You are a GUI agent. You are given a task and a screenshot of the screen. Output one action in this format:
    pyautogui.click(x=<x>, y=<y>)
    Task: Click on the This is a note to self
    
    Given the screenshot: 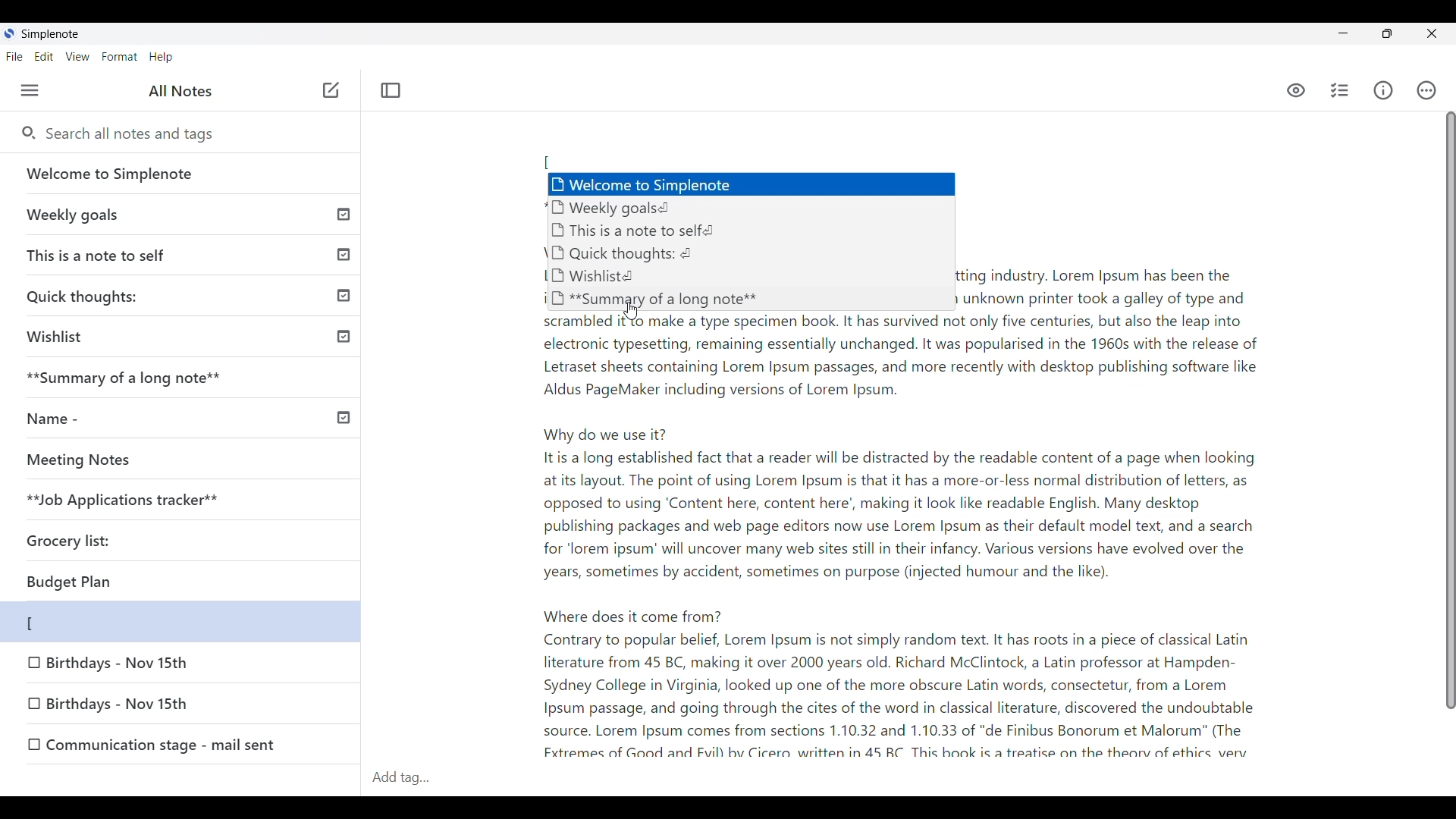 What is the action you would take?
    pyautogui.click(x=184, y=252)
    